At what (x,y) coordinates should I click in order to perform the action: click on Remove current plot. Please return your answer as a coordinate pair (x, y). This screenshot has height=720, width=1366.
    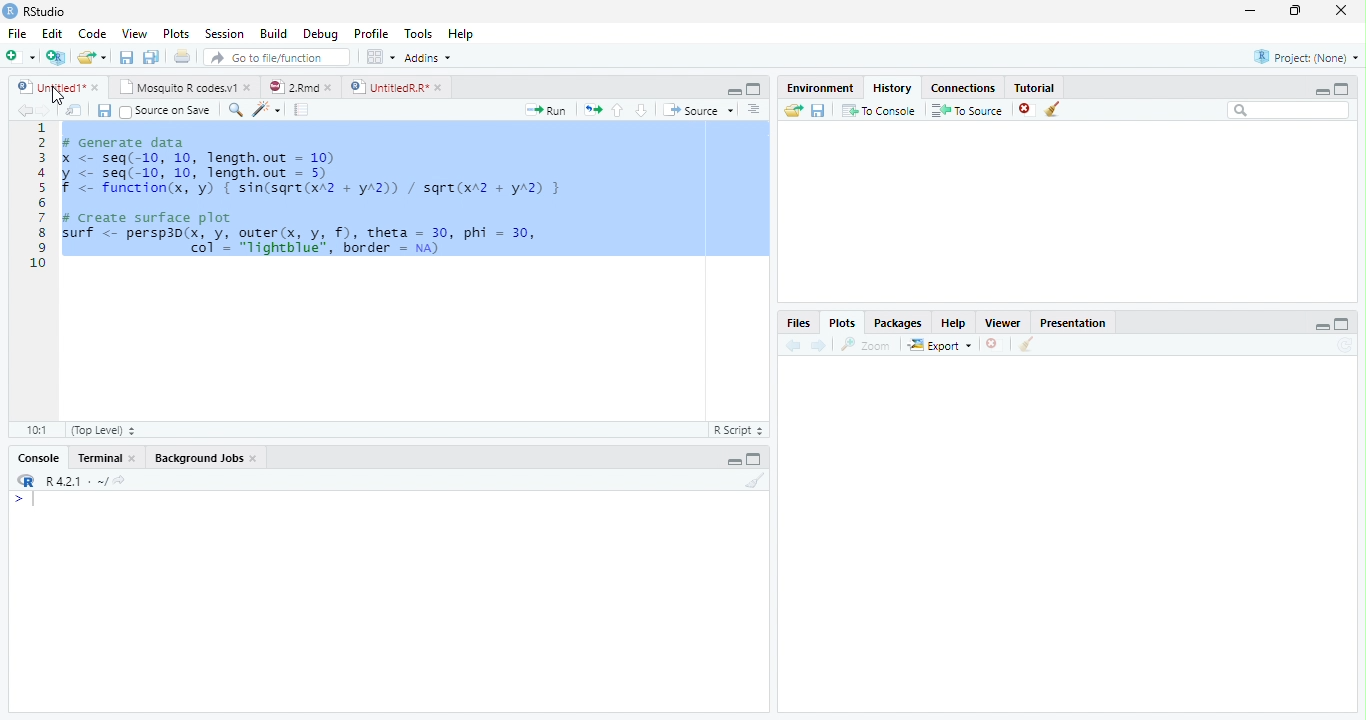
    Looking at the image, I should click on (996, 344).